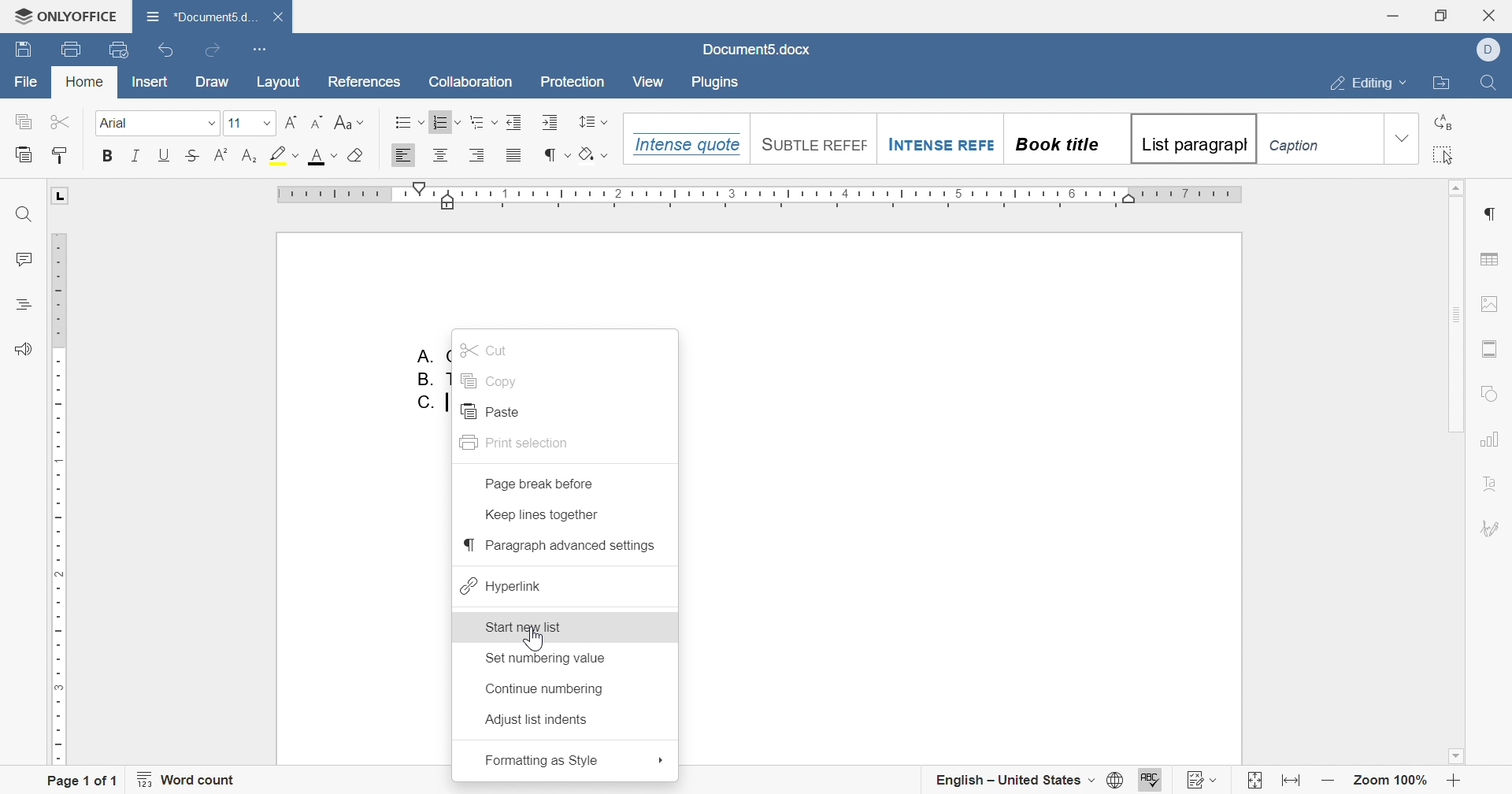  Describe the element at coordinates (61, 499) in the screenshot. I see `ruler` at that location.